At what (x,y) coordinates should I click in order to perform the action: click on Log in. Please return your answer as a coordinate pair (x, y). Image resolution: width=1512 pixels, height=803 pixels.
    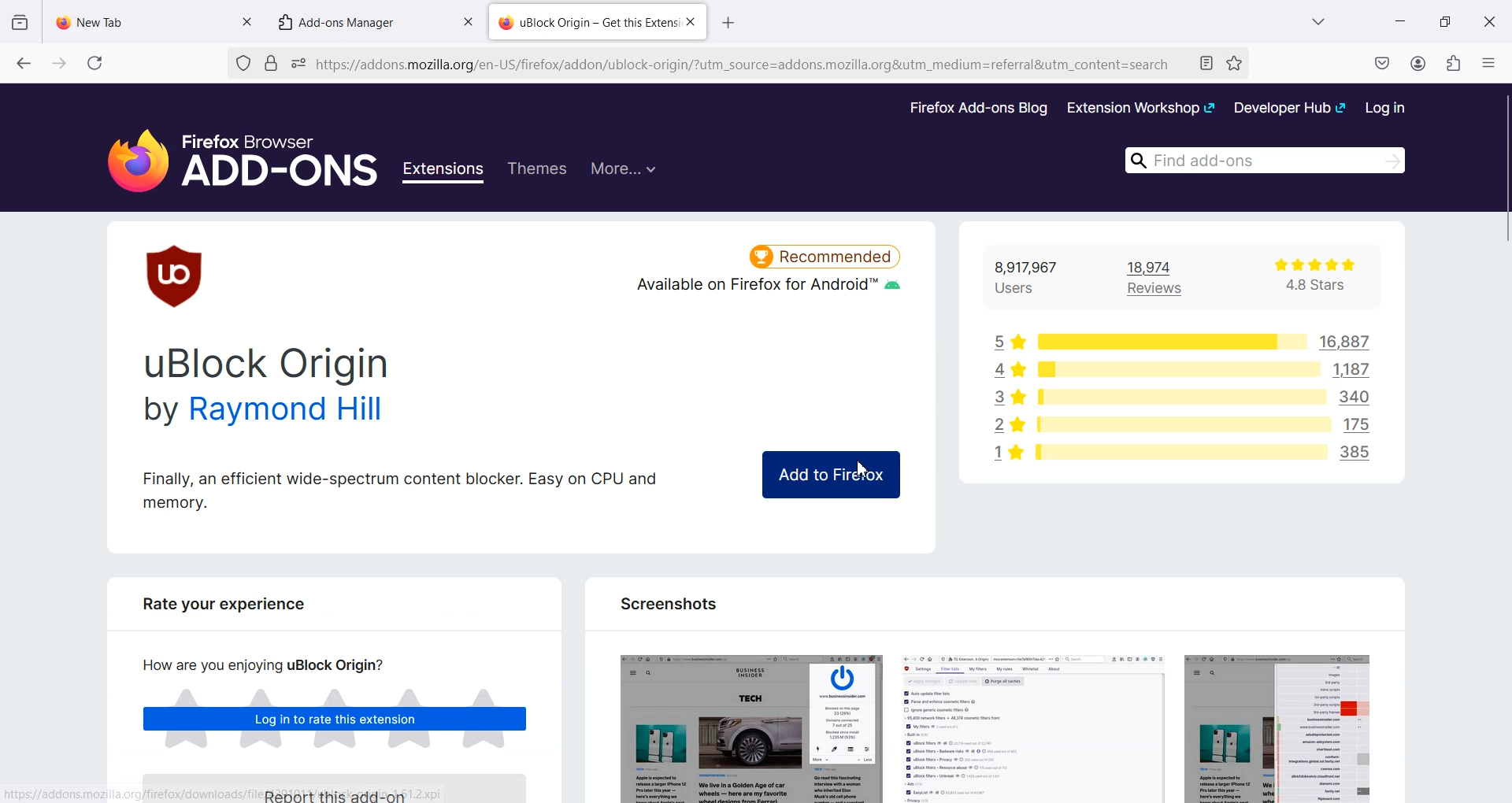
    Looking at the image, I should click on (1386, 107).